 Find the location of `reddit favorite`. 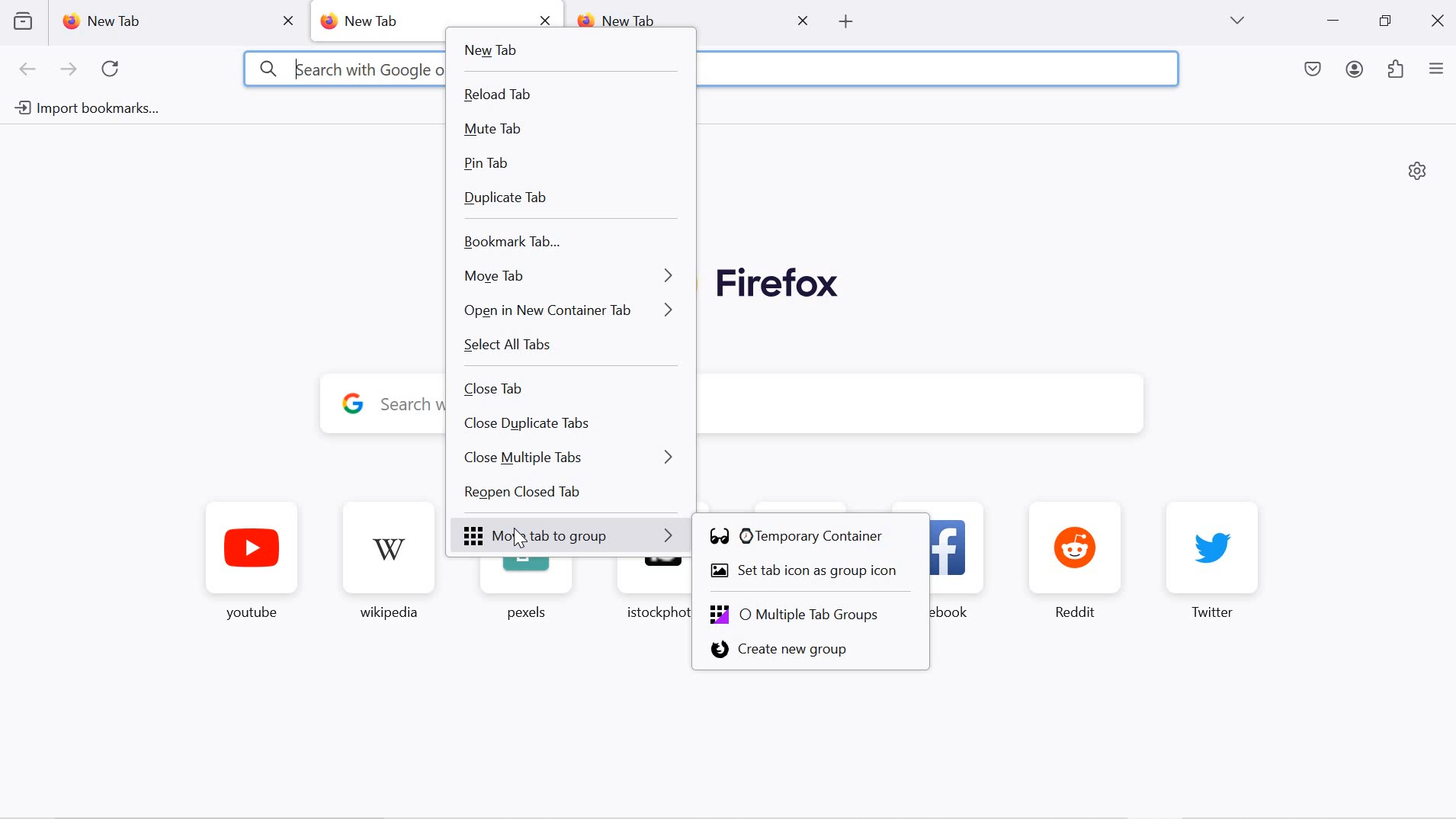

reddit favorite is located at coordinates (1071, 566).